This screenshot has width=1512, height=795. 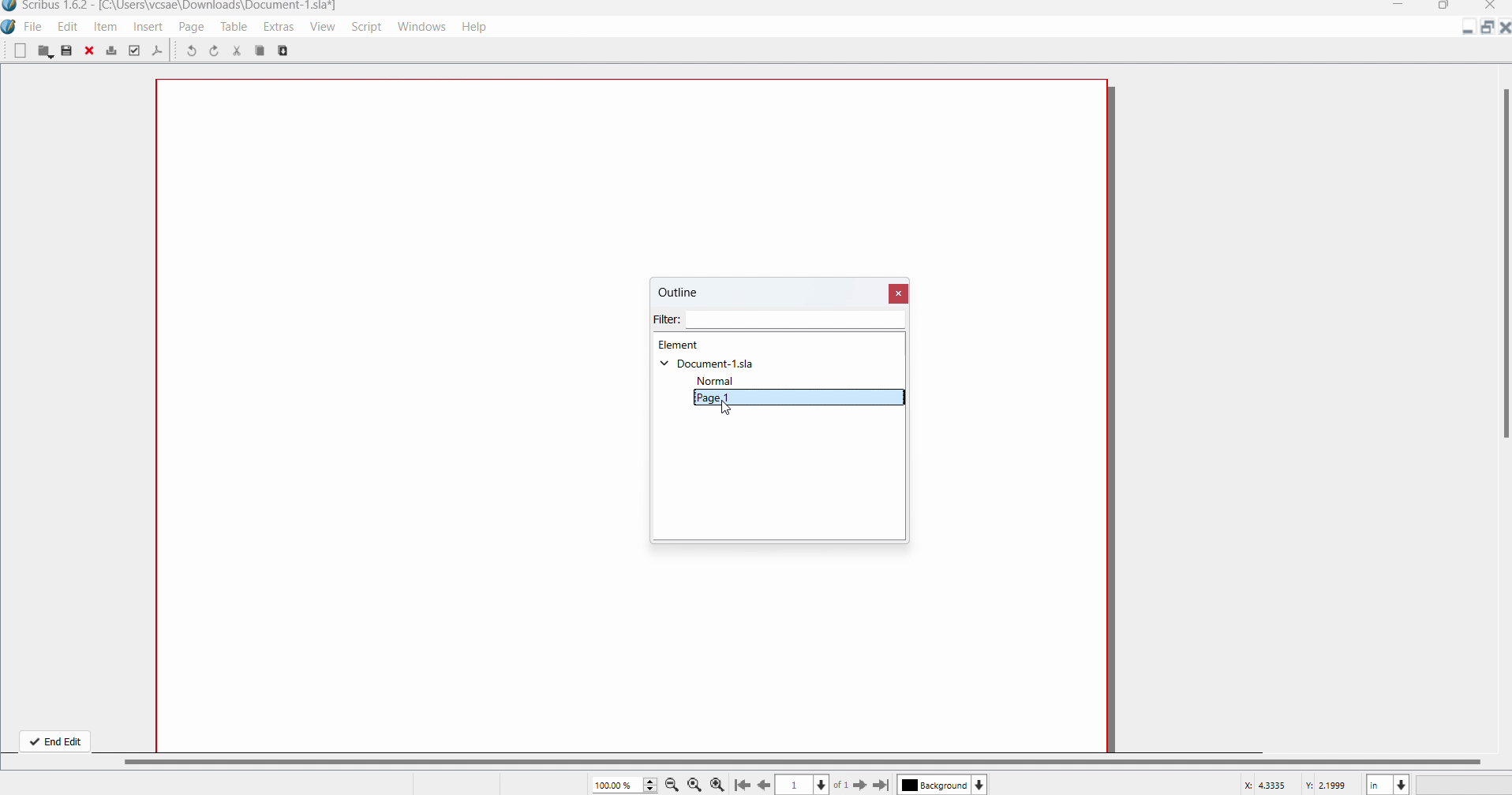 What do you see at coordinates (1402, 6) in the screenshot?
I see `Minimize` at bounding box center [1402, 6].